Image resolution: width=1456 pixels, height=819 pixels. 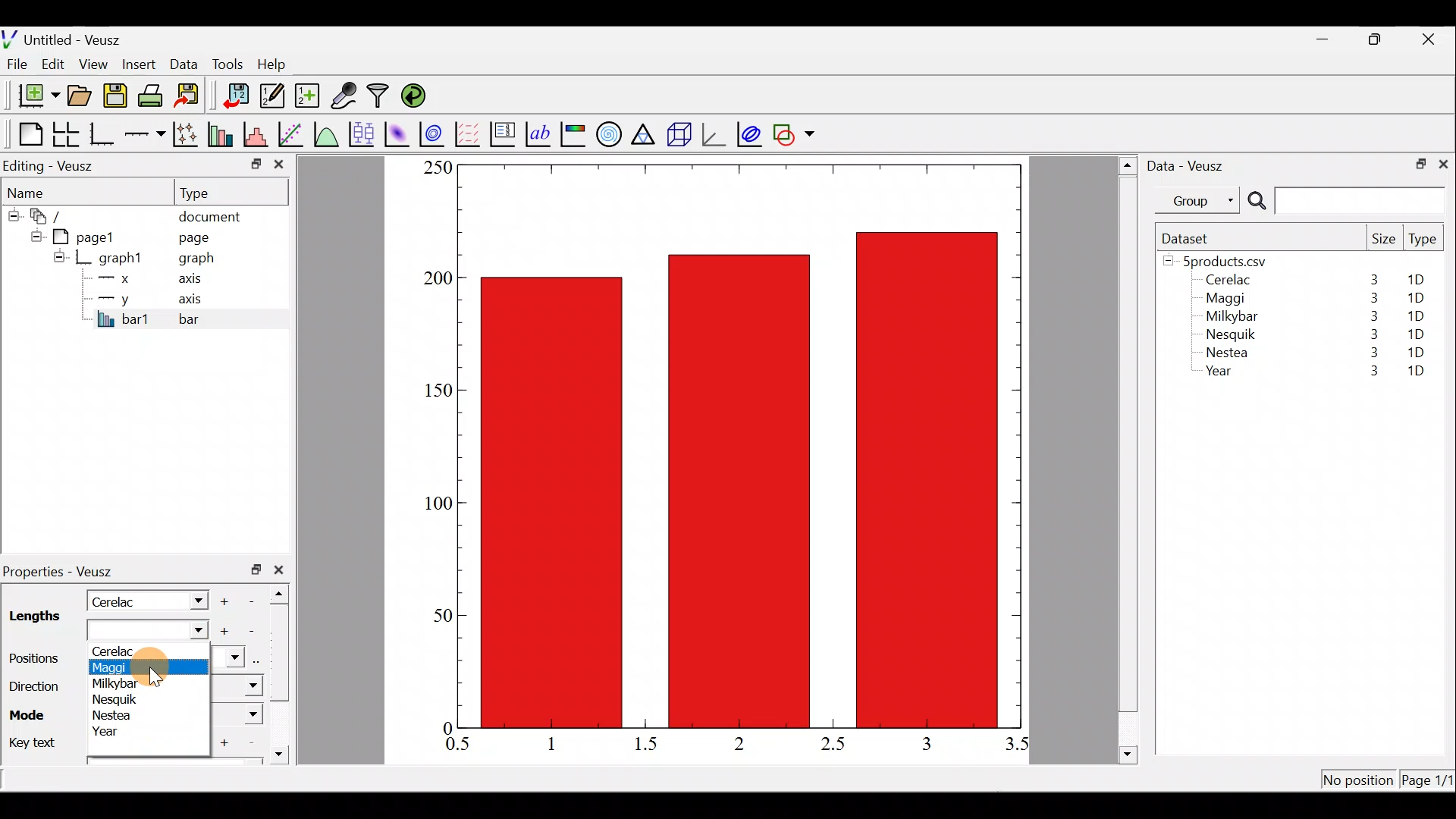 What do you see at coordinates (833, 744) in the screenshot?
I see `2.5` at bounding box center [833, 744].